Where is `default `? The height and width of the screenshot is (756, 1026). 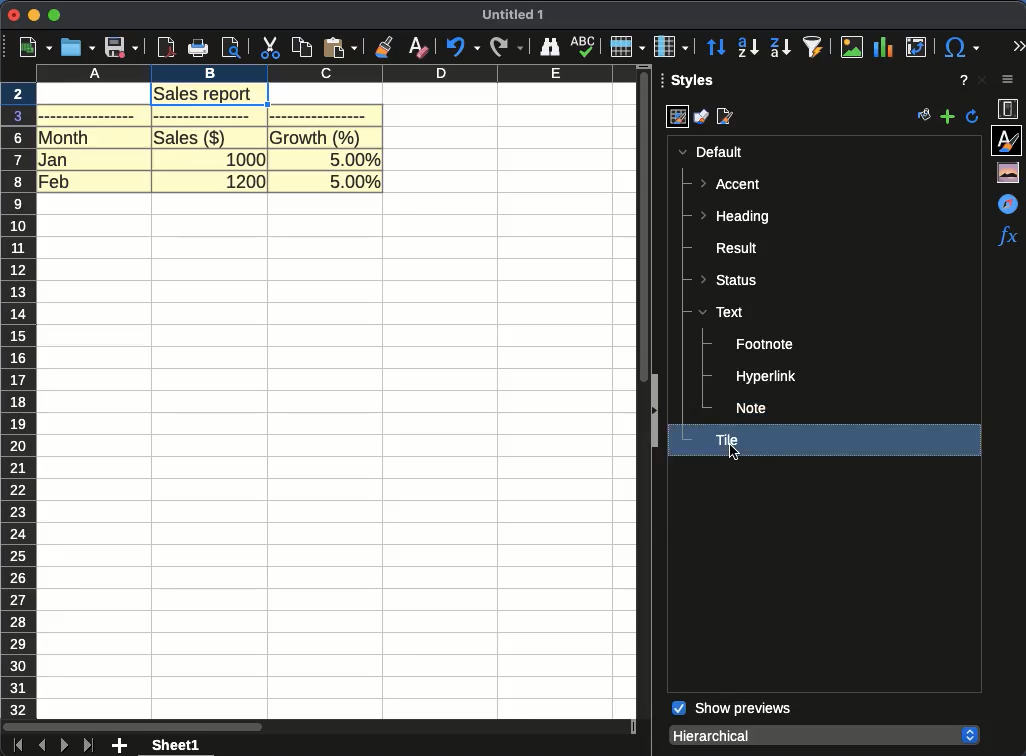 default  is located at coordinates (710, 152).